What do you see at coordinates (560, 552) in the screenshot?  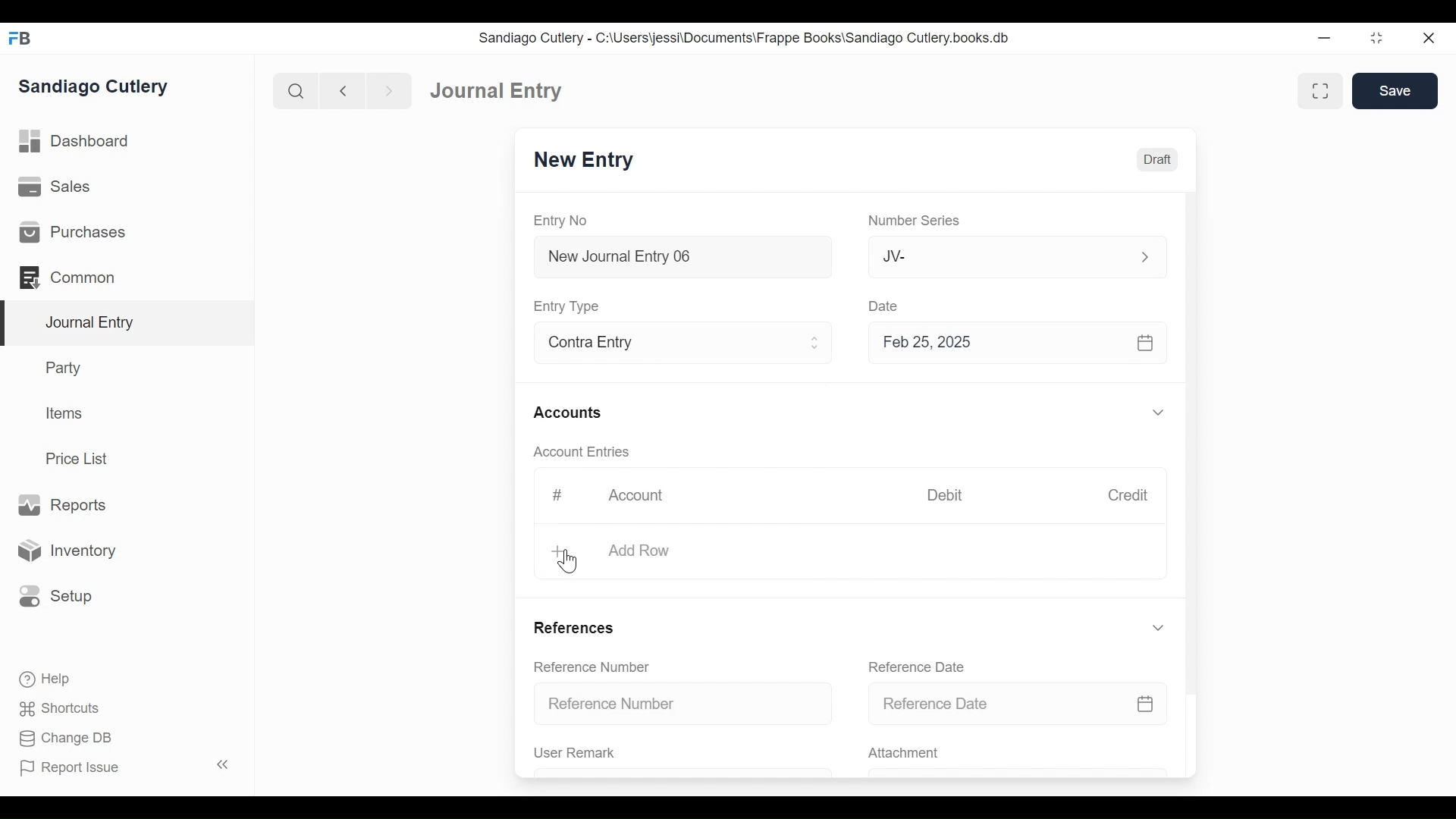 I see `+` at bounding box center [560, 552].